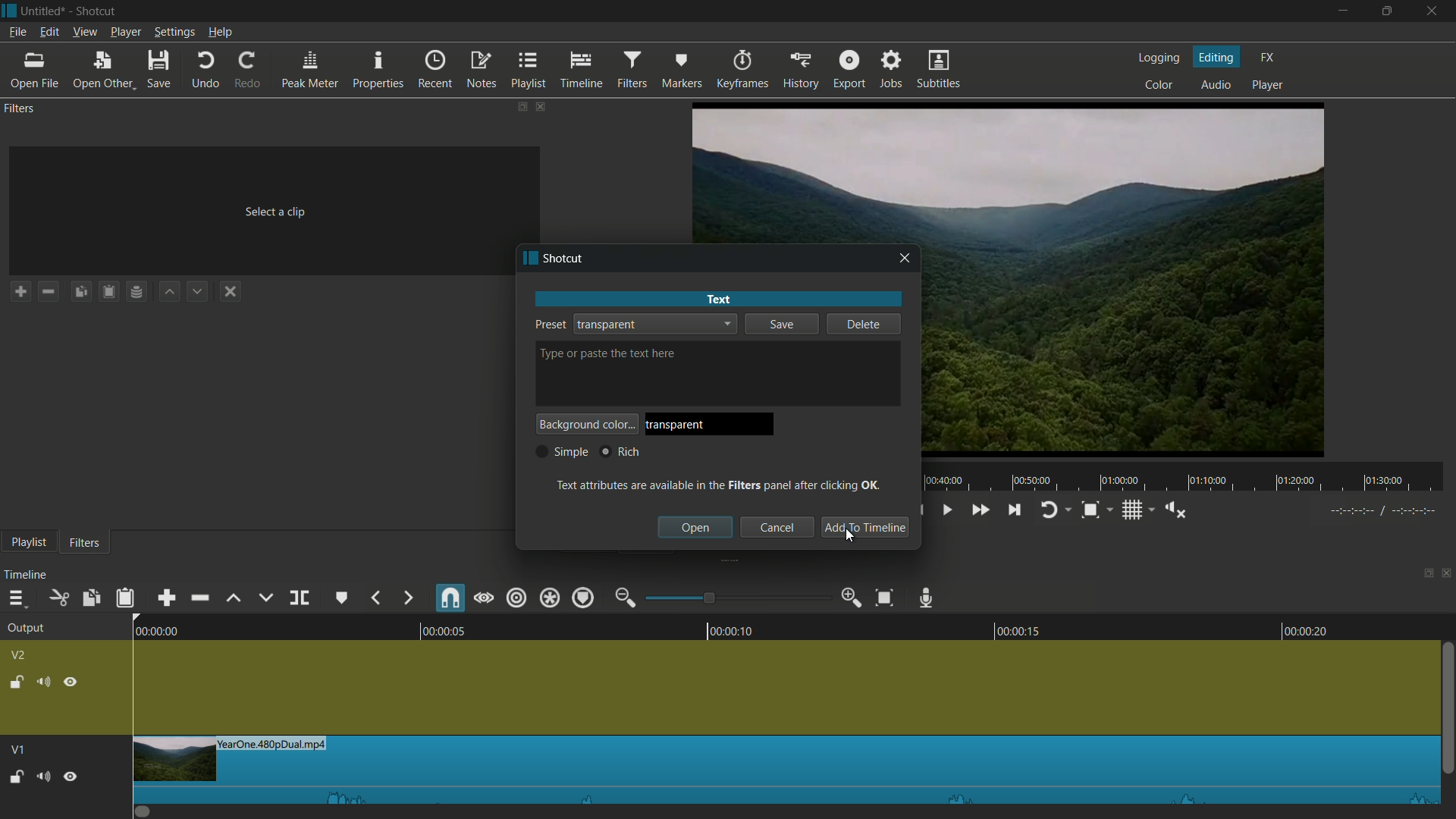  I want to click on type or paste the text here, so click(552, 355).